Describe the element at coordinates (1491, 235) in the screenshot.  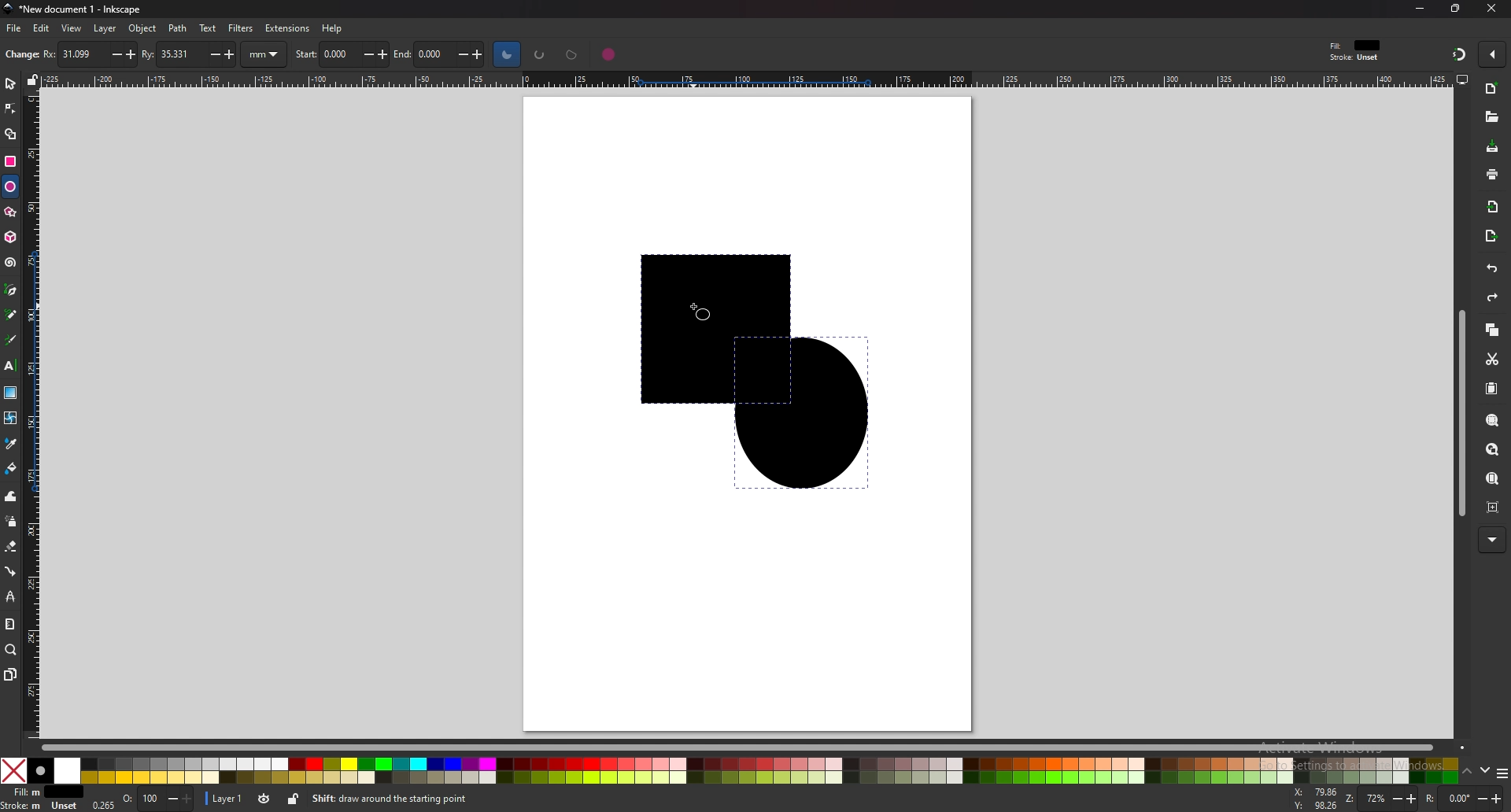
I see `export` at that location.